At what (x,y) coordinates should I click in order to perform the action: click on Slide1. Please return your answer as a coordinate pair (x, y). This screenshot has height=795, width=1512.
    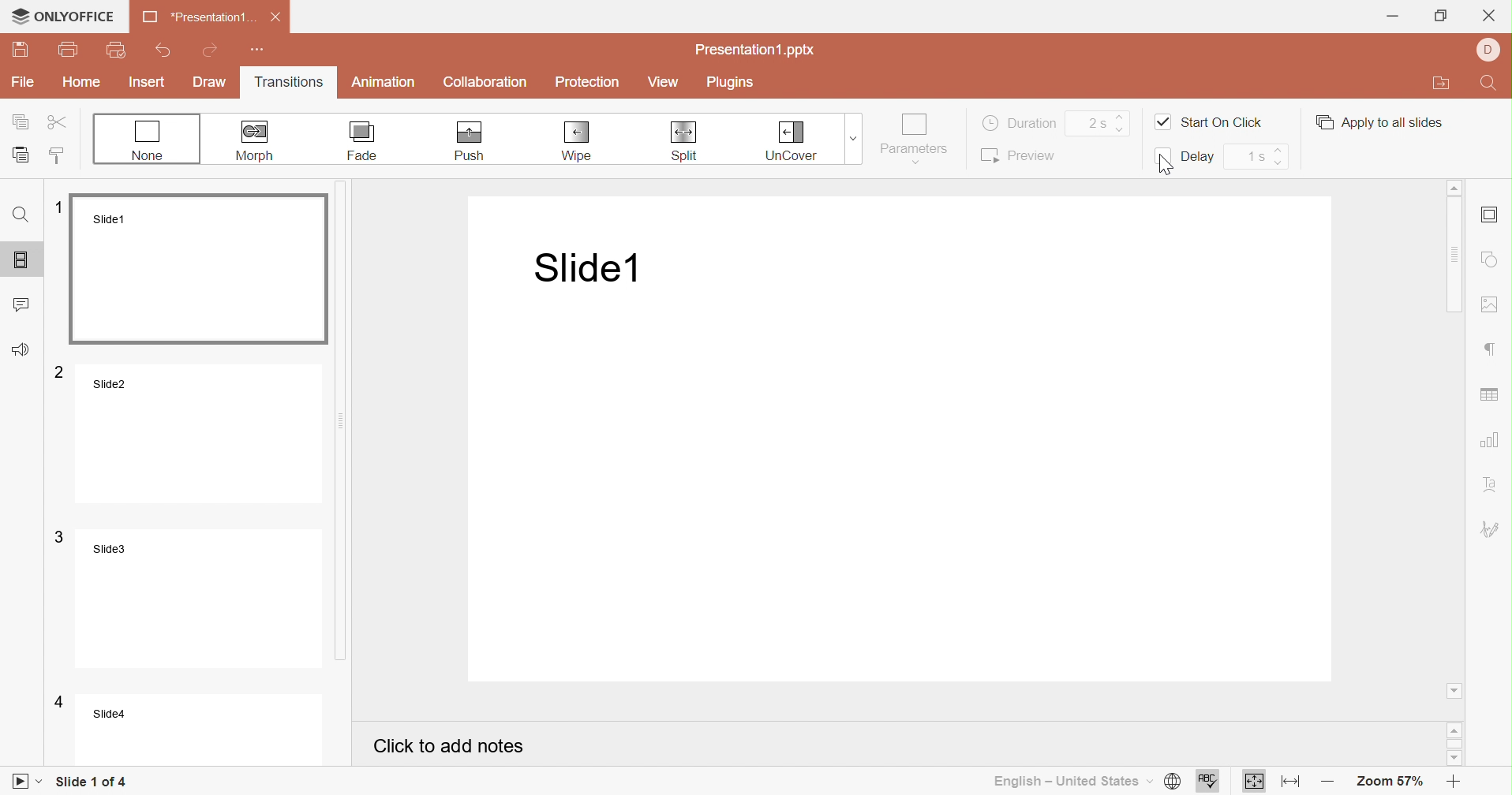
    Looking at the image, I should click on (202, 269).